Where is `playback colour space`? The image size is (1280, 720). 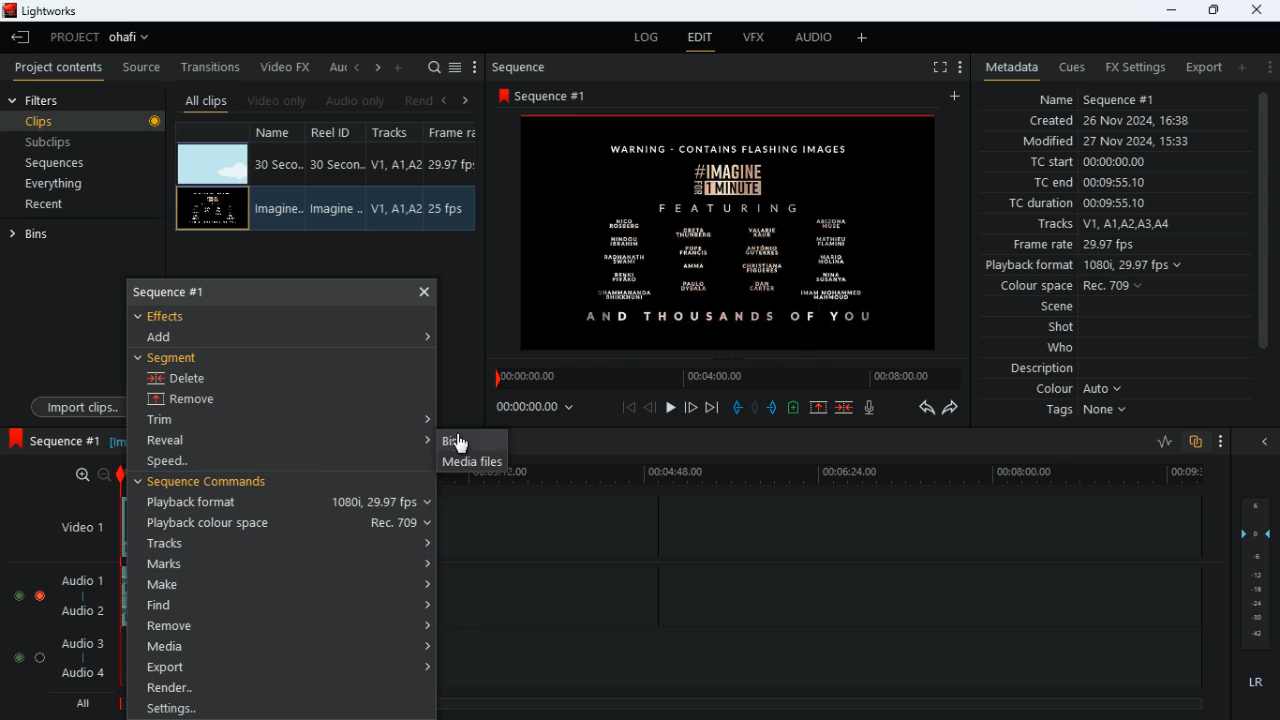
playback colour space is located at coordinates (282, 523).